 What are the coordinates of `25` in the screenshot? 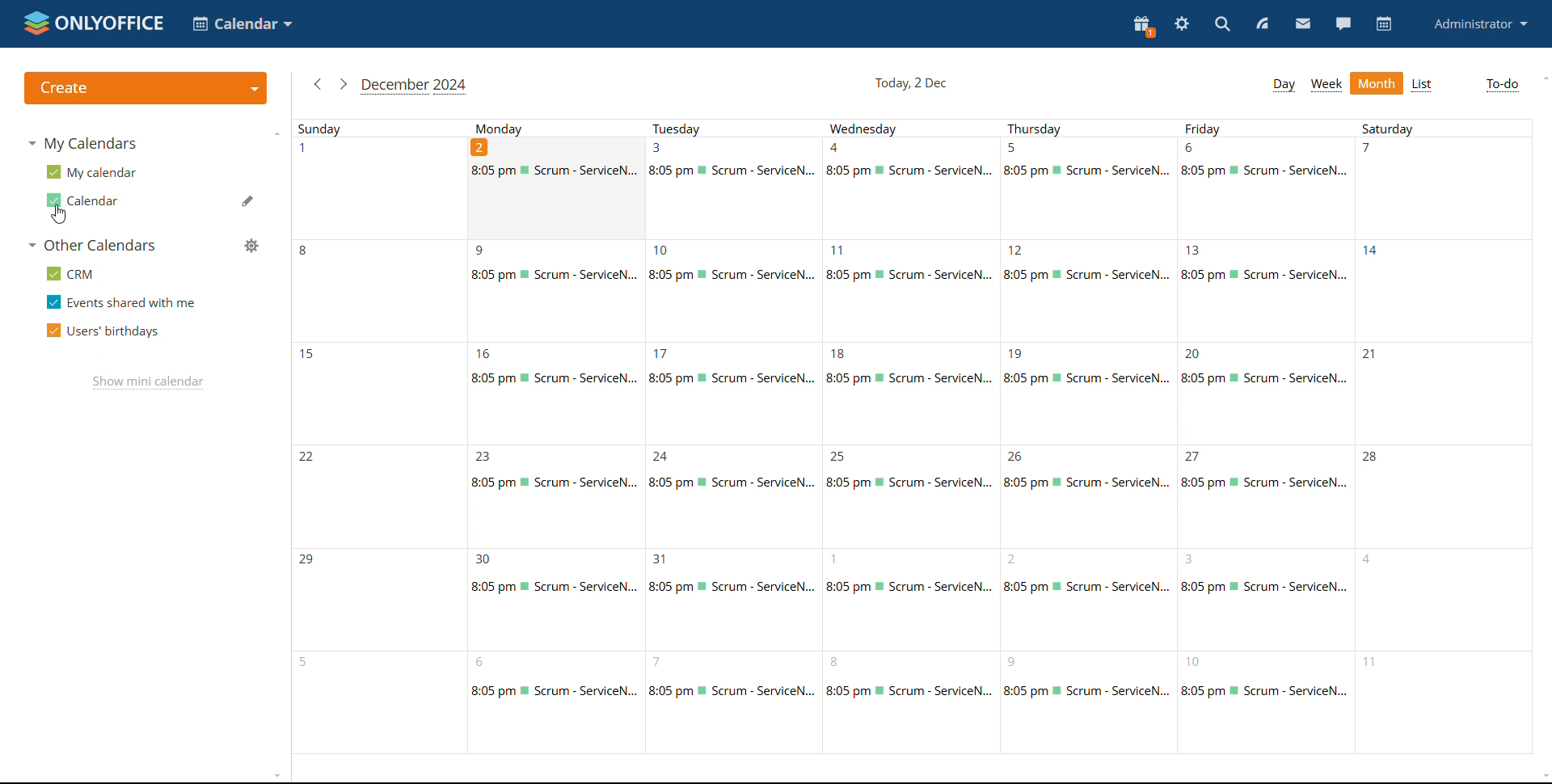 It's located at (907, 495).